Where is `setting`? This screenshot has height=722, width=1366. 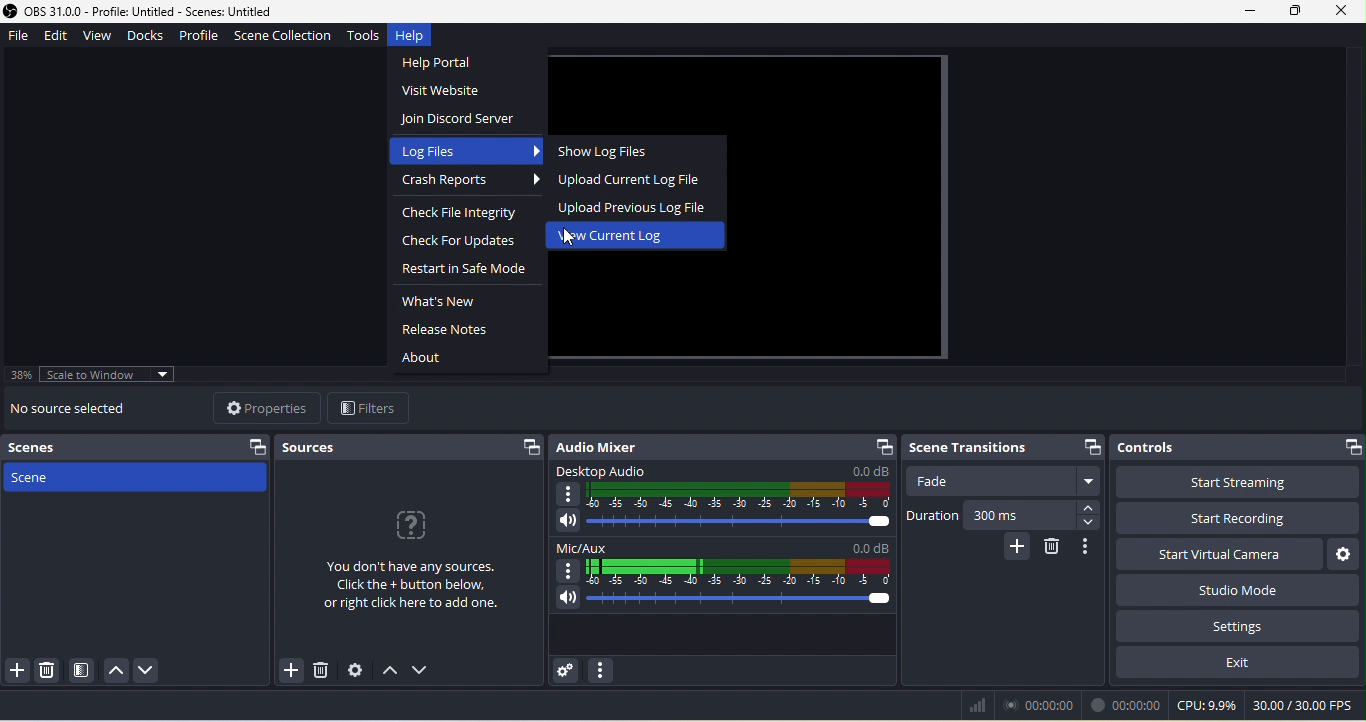 setting is located at coordinates (1235, 627).